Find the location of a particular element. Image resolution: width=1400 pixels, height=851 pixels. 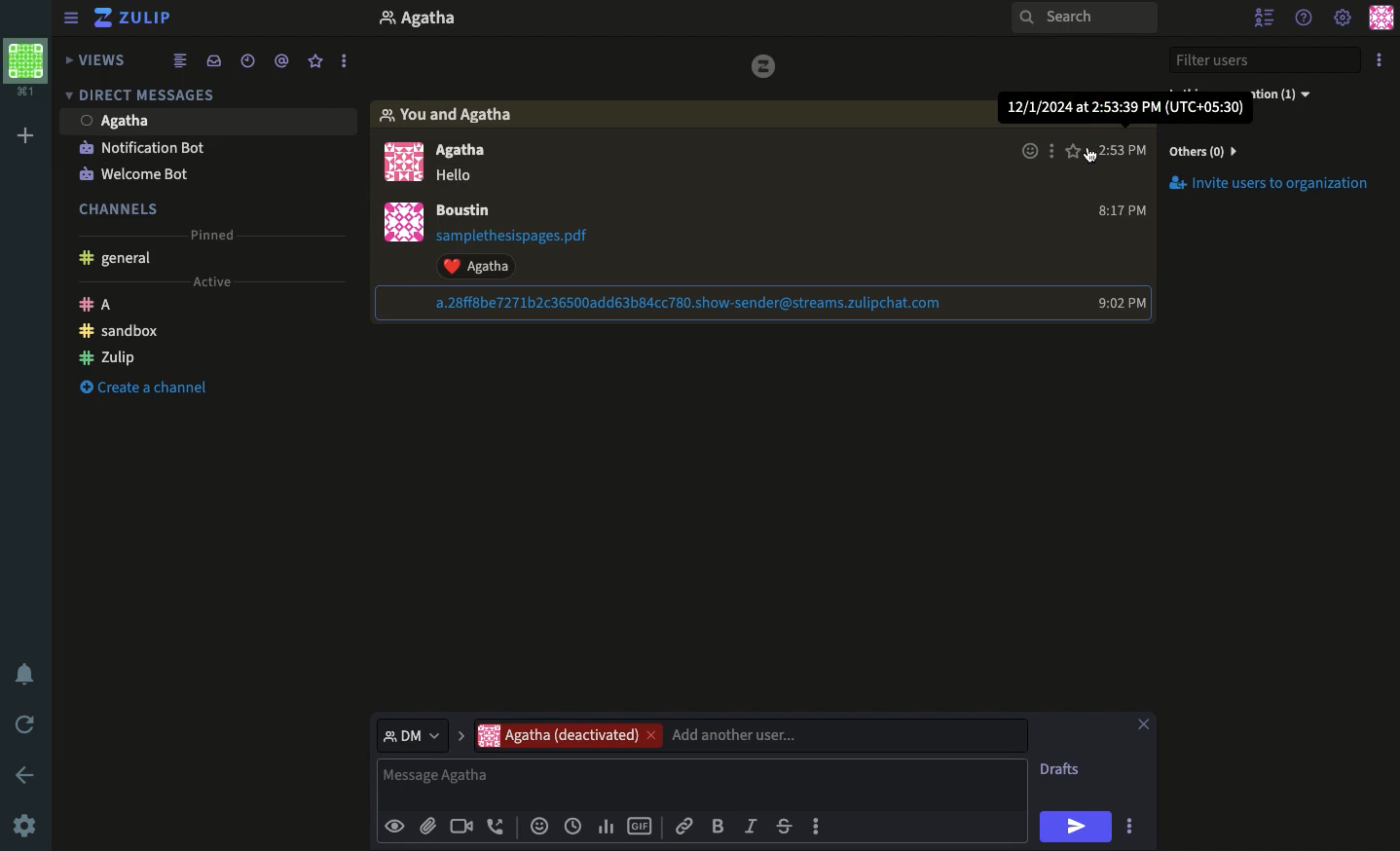

Welcome bot is located at coordinates (137, 174).